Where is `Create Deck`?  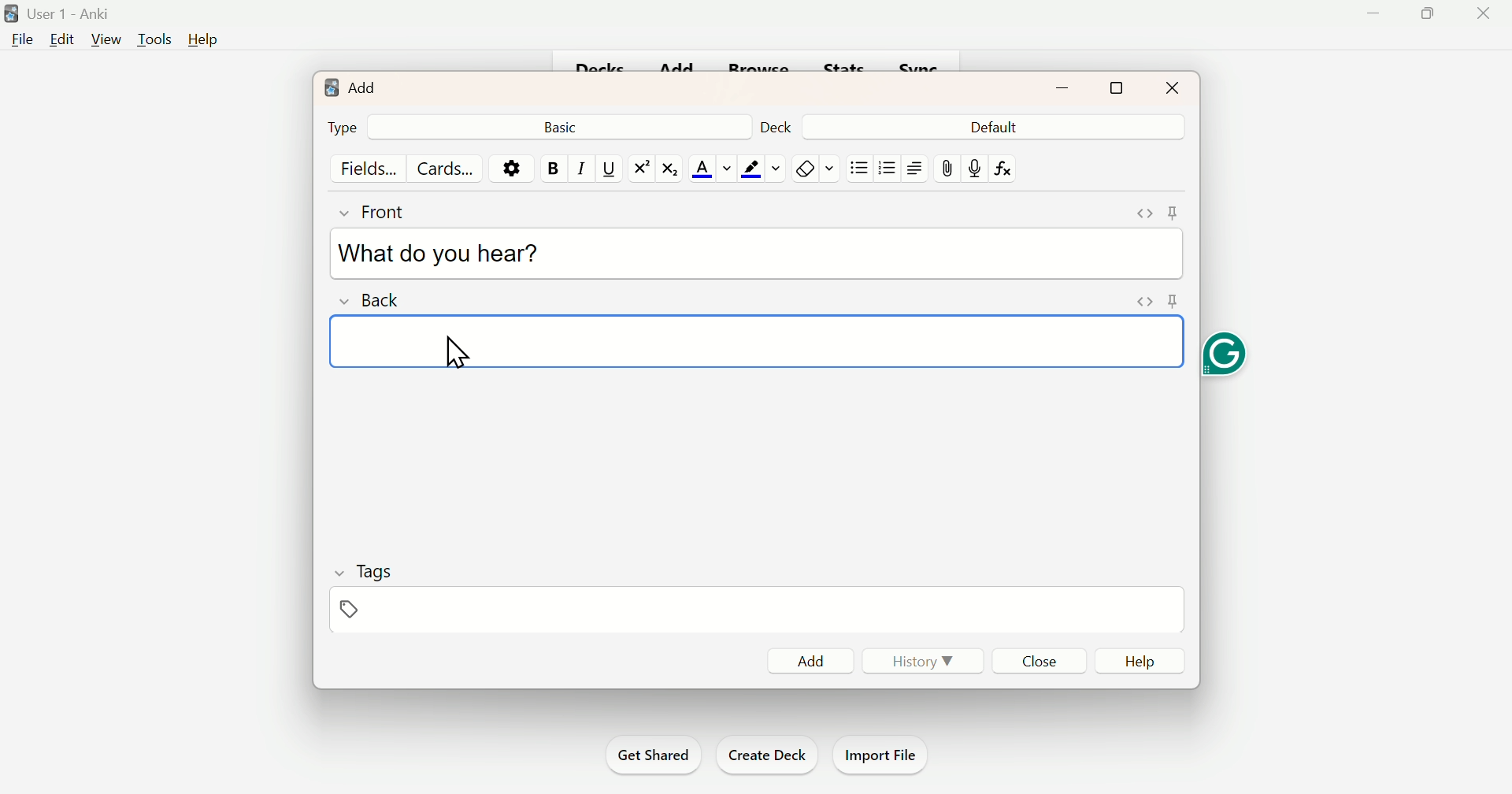
Create Deck is located at coordinates (766, 755).